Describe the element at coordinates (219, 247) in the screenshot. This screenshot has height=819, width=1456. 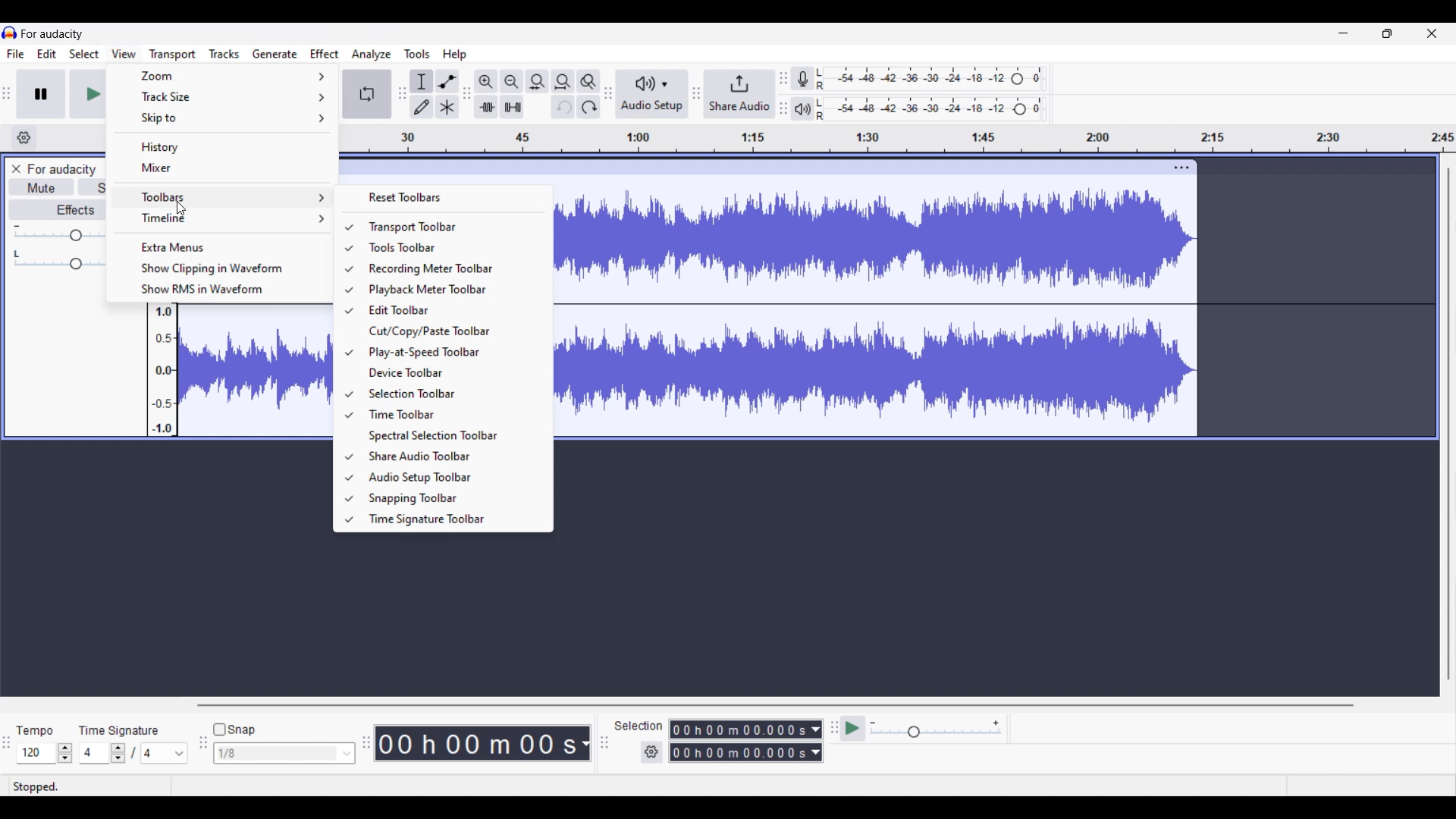
I see `Extra menus` at that location.